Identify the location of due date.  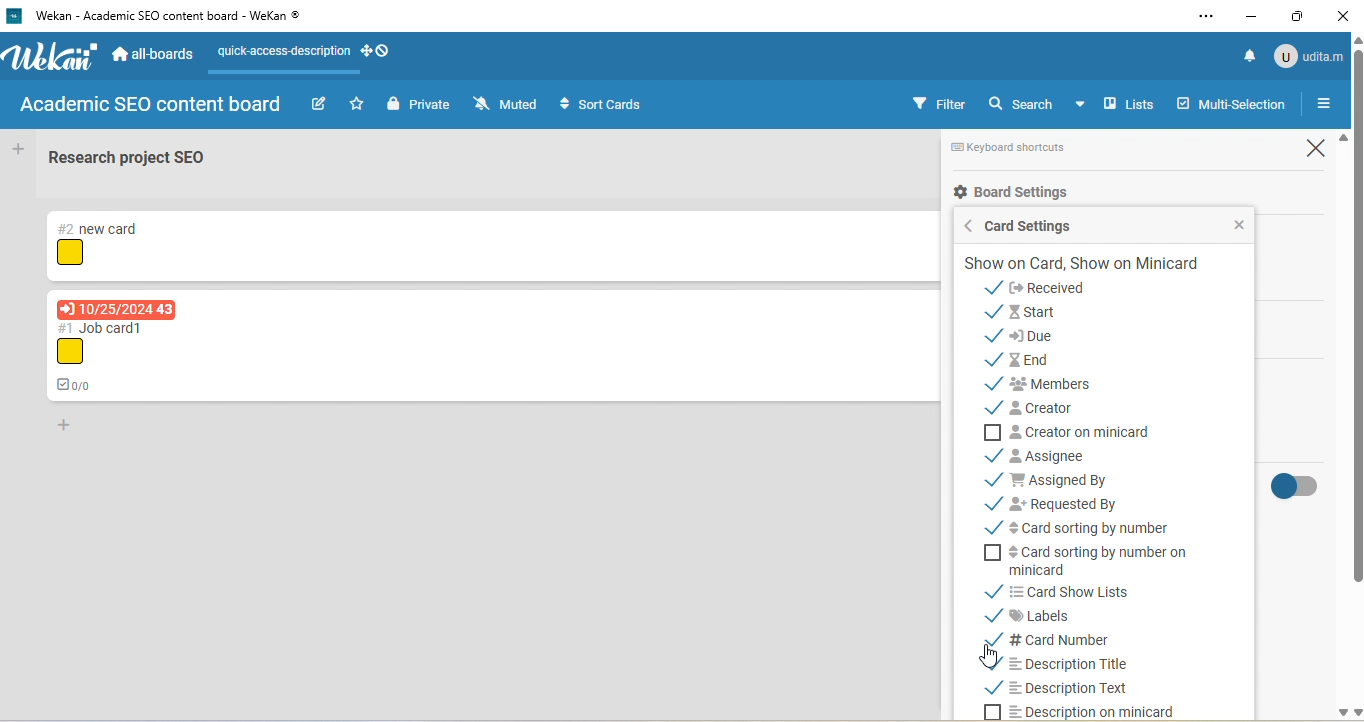
(118, 308).